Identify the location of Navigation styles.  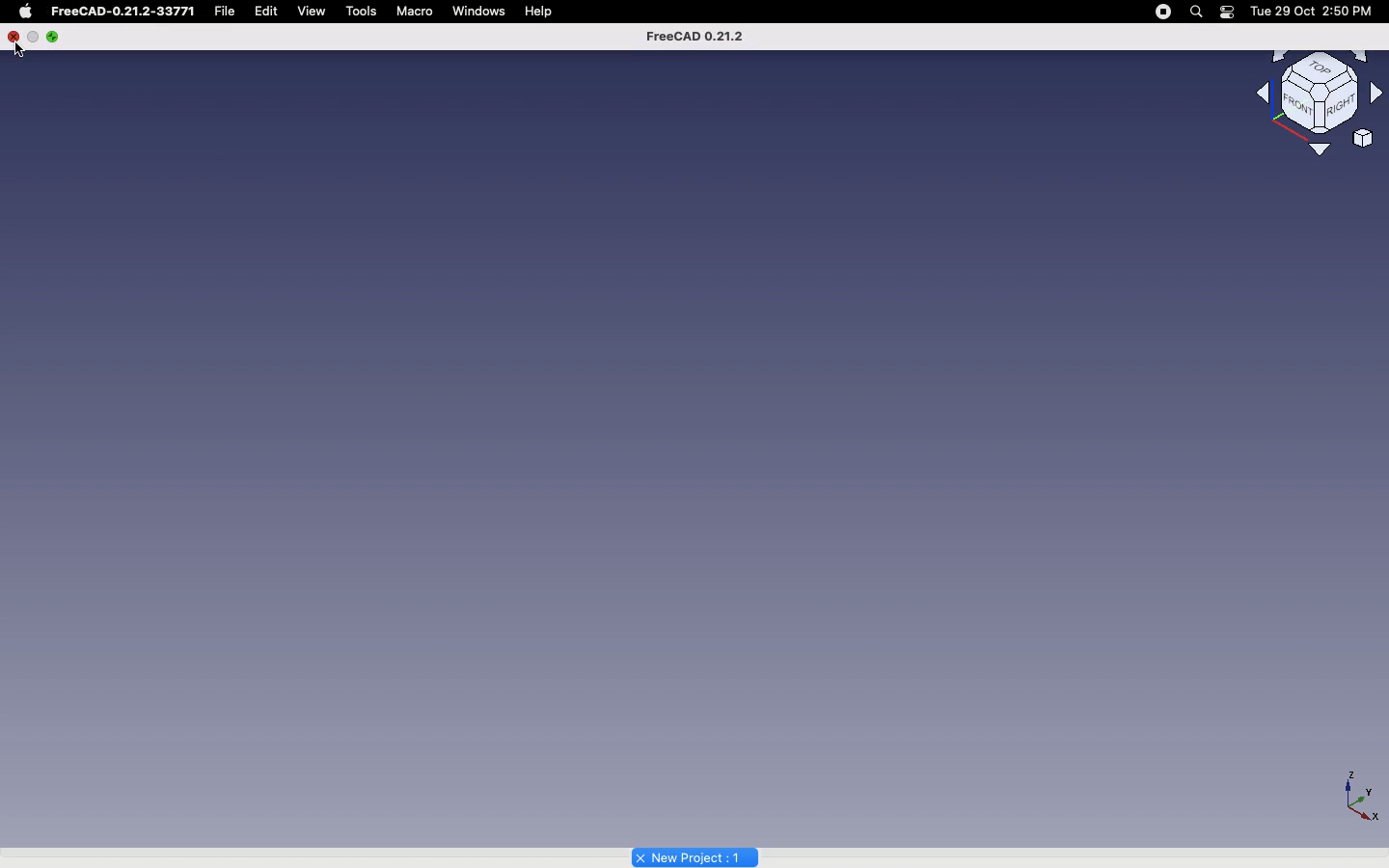
(1318, 93).